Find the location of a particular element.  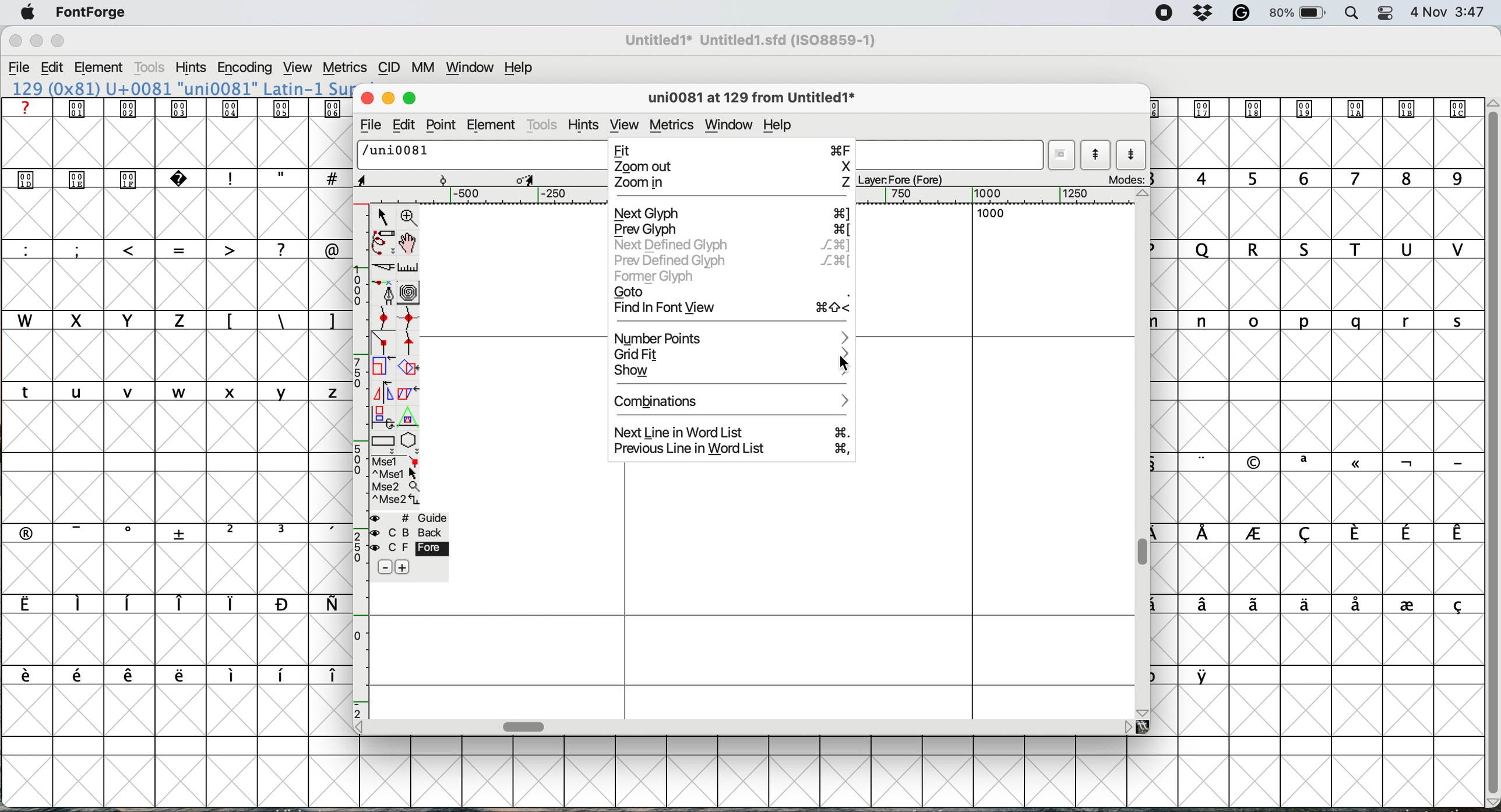

add is located at coordinates (407, 567).